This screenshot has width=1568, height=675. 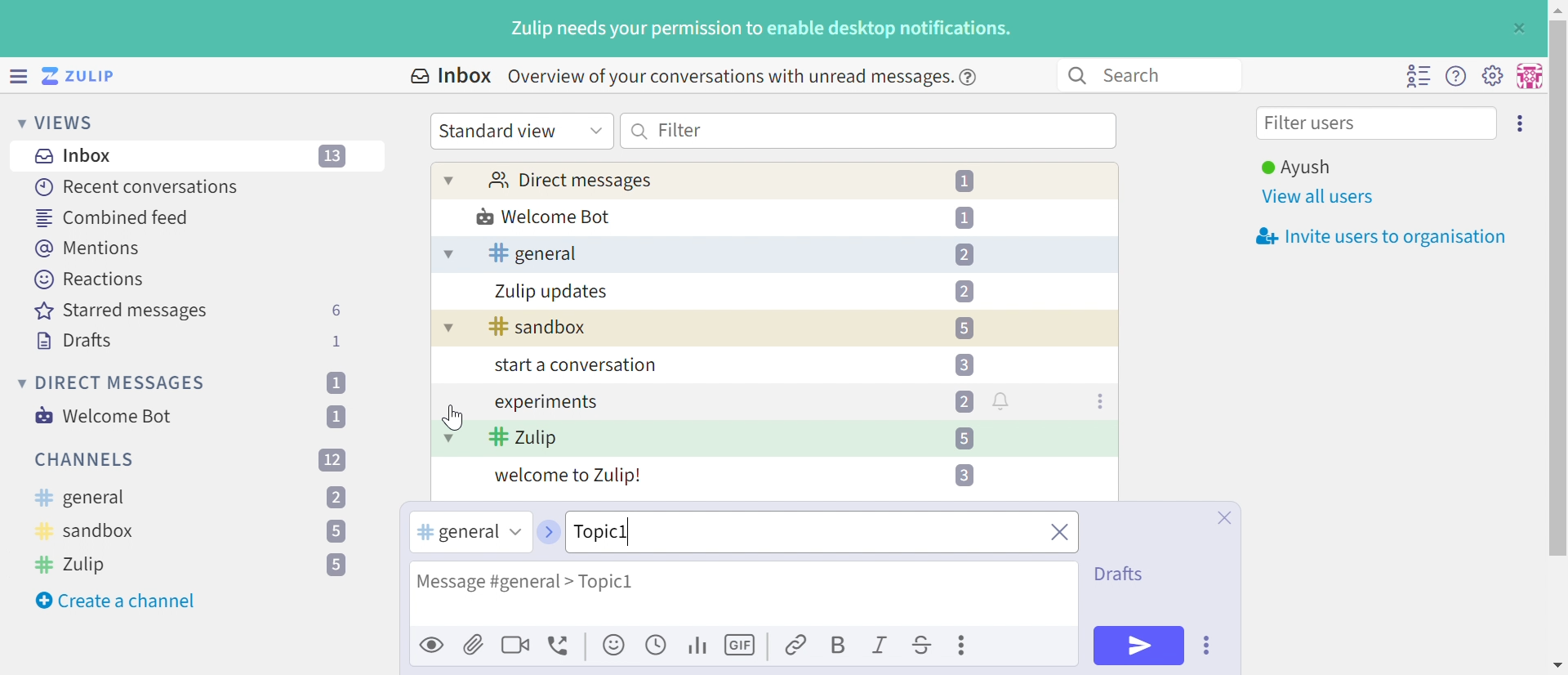 I want to click on Link, so click(x=797, y=646).